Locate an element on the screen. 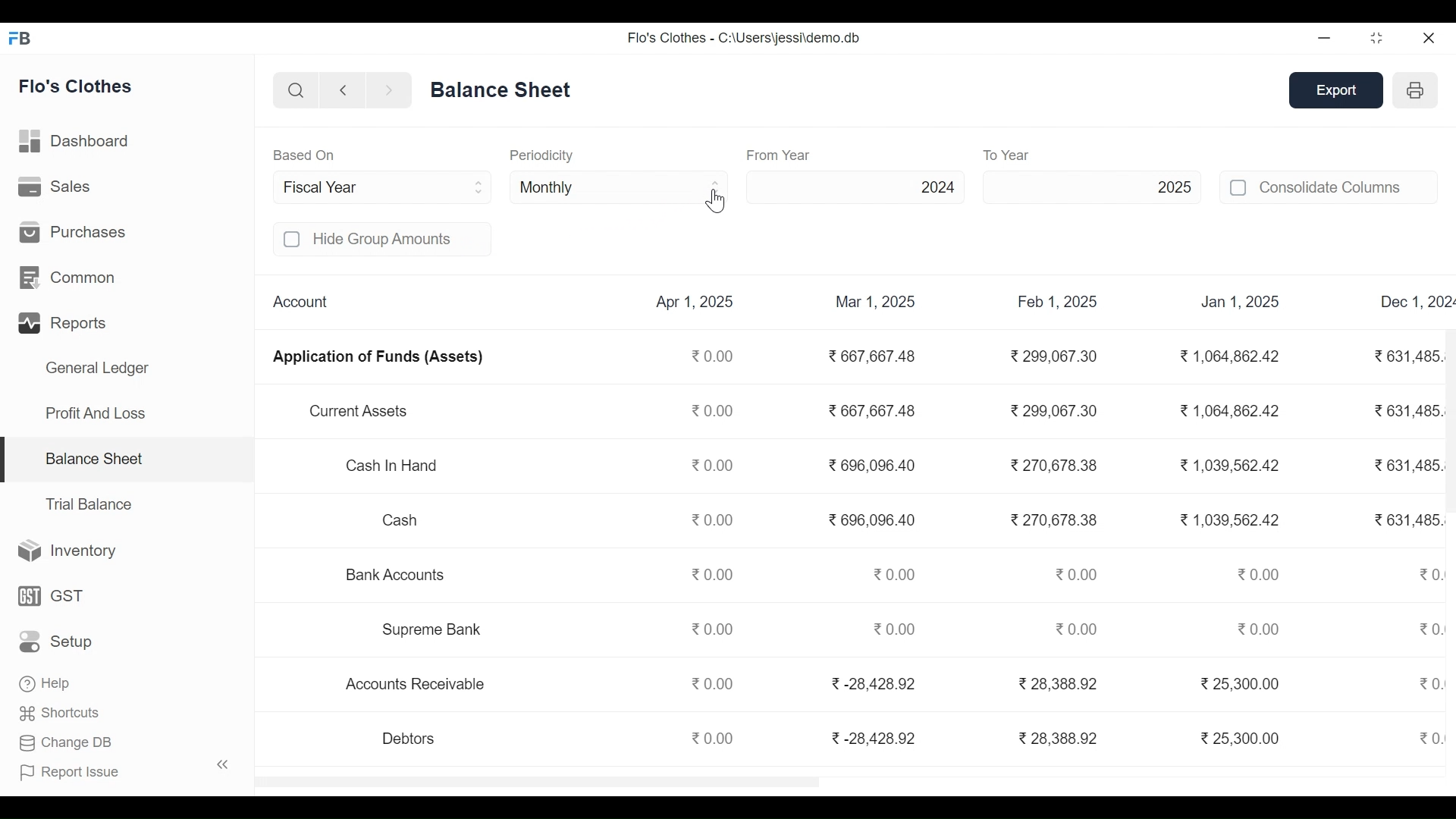  setup is located at coordinates (58, 642).